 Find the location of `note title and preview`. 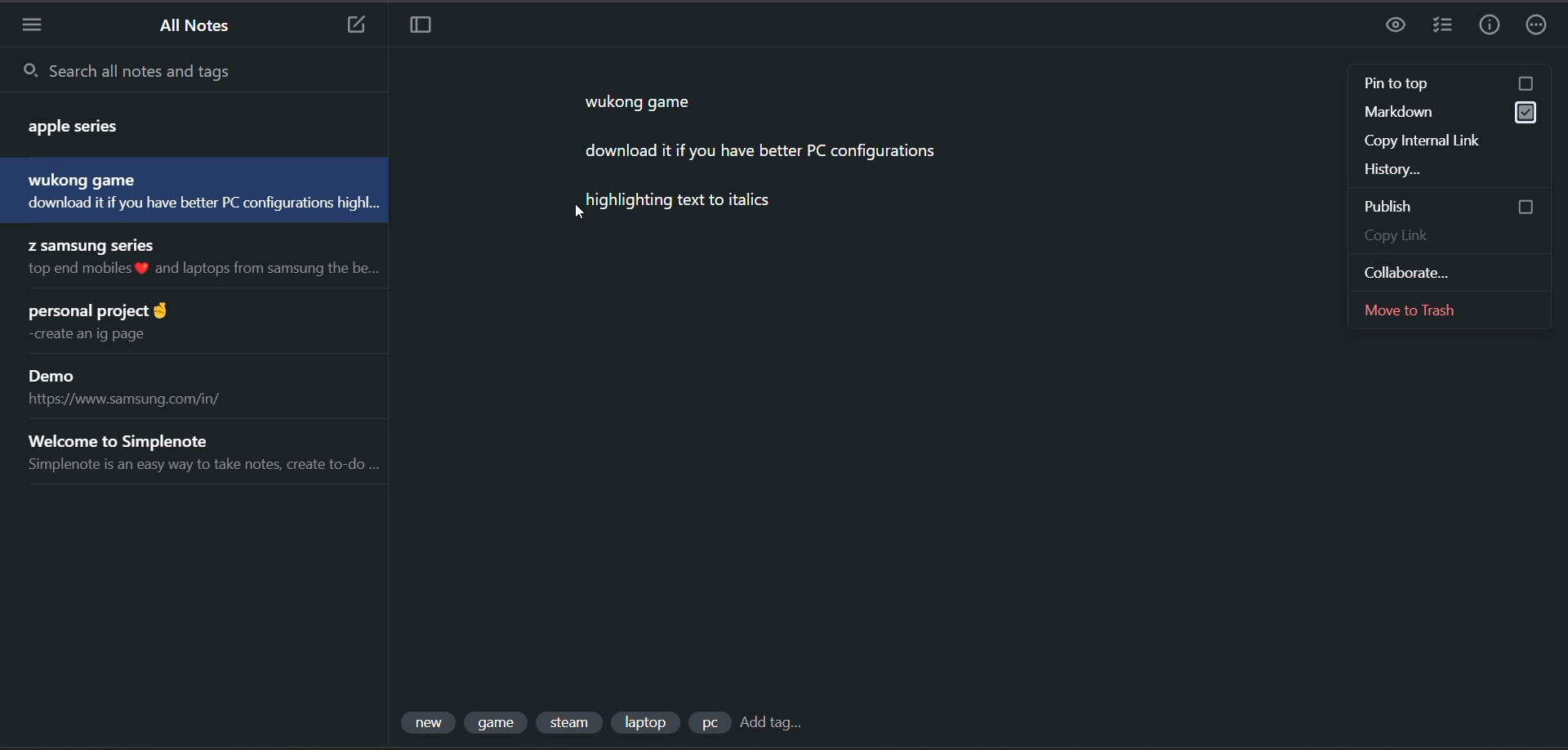

note title and preview is located at coordinates (190, 190).